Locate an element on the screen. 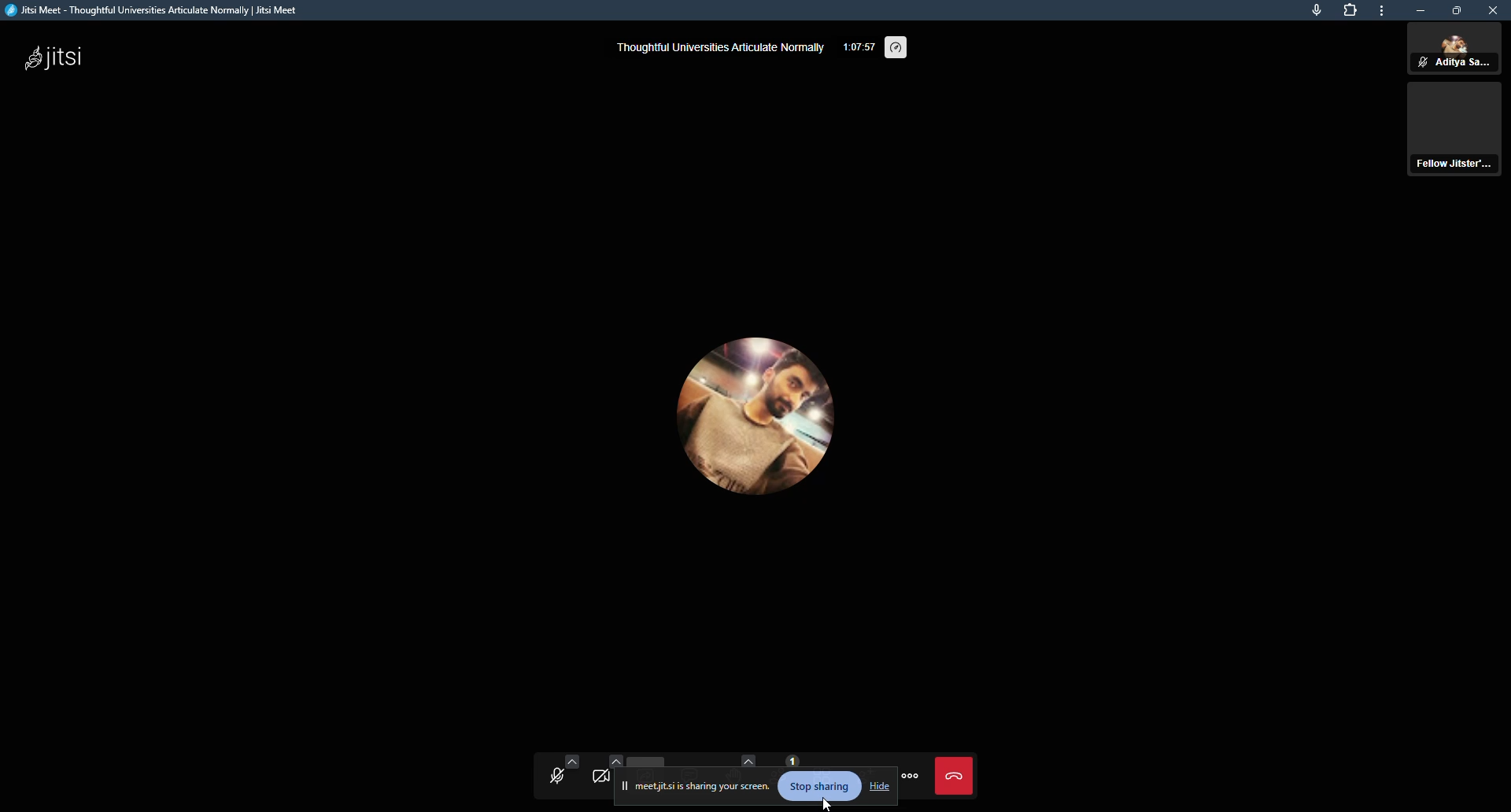 This screenshot has height=812, width=1511. jitsi is located at coordinates (60, 56).